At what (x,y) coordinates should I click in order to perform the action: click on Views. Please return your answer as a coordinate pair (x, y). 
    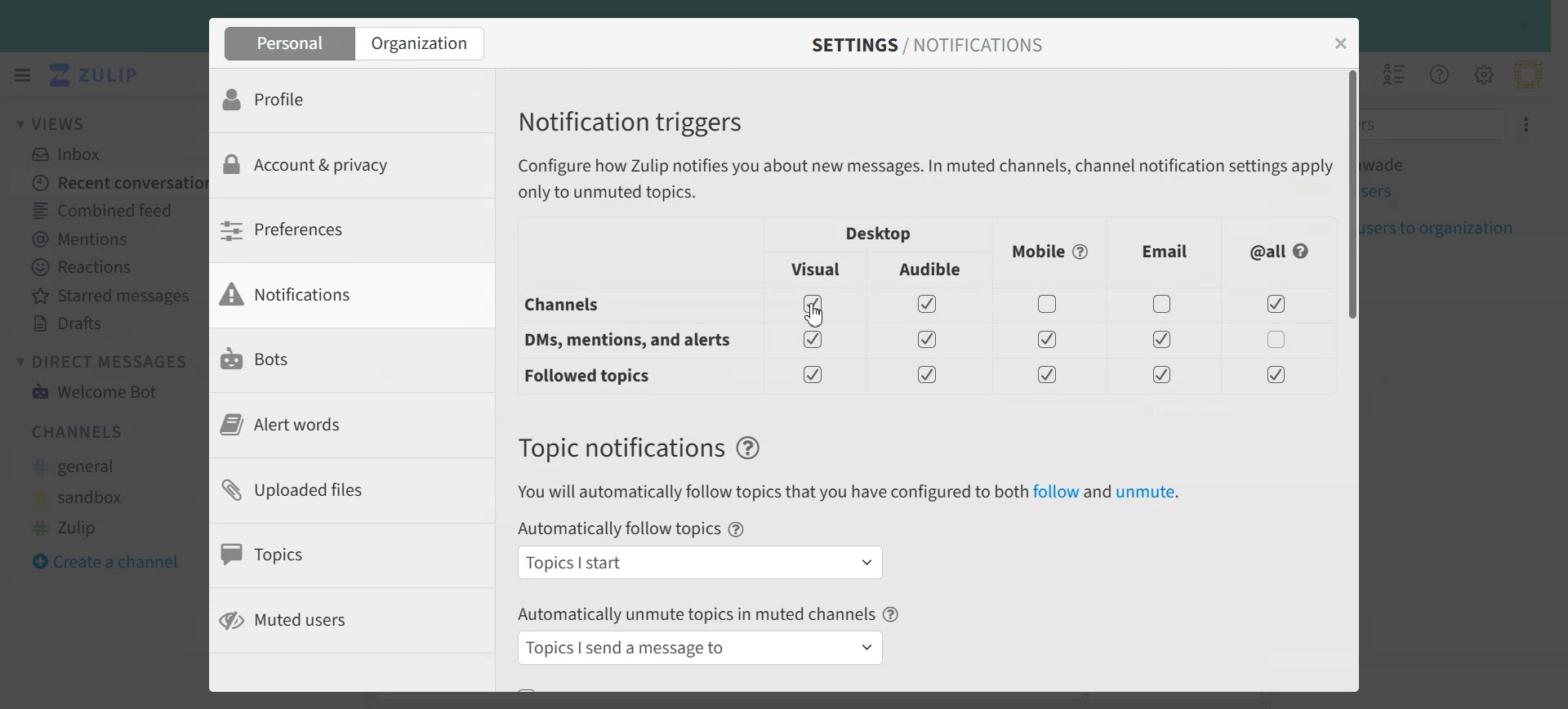
    Looking at the image, I should click on (60, 123).